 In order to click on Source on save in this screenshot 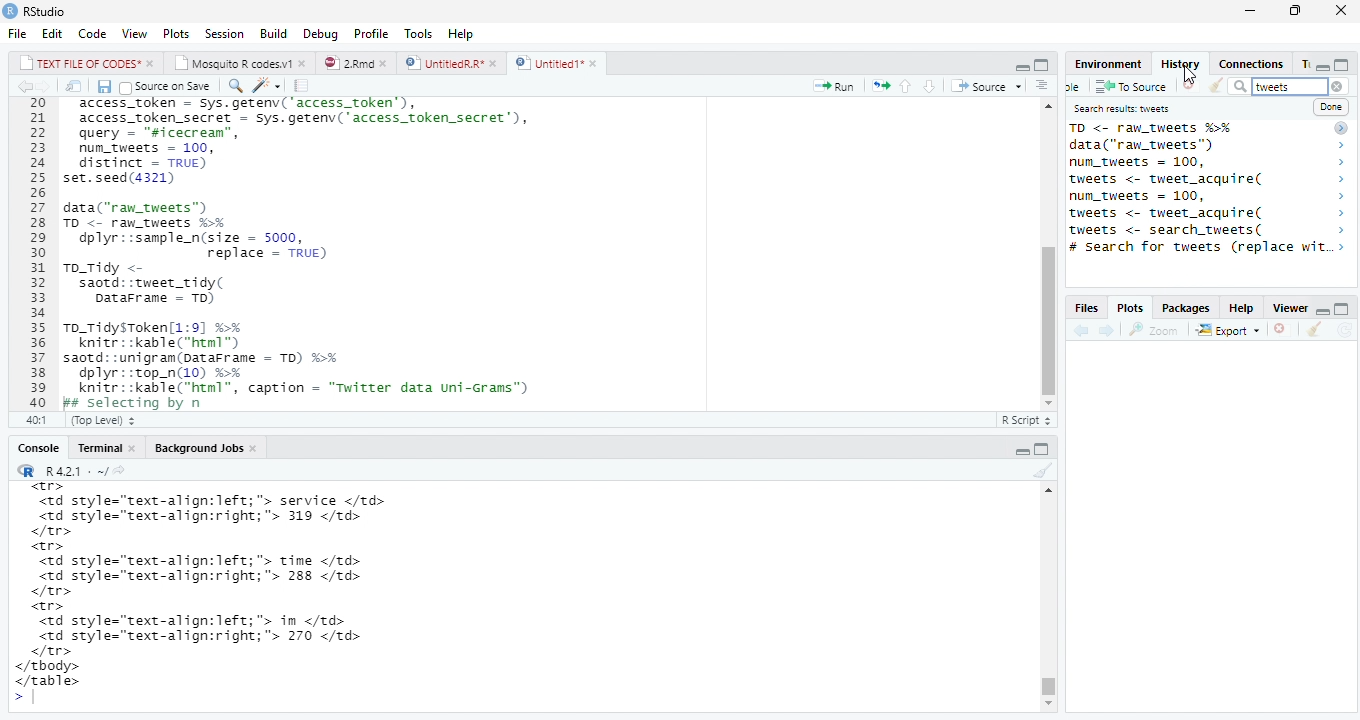, I will do `click(171, 86)`.